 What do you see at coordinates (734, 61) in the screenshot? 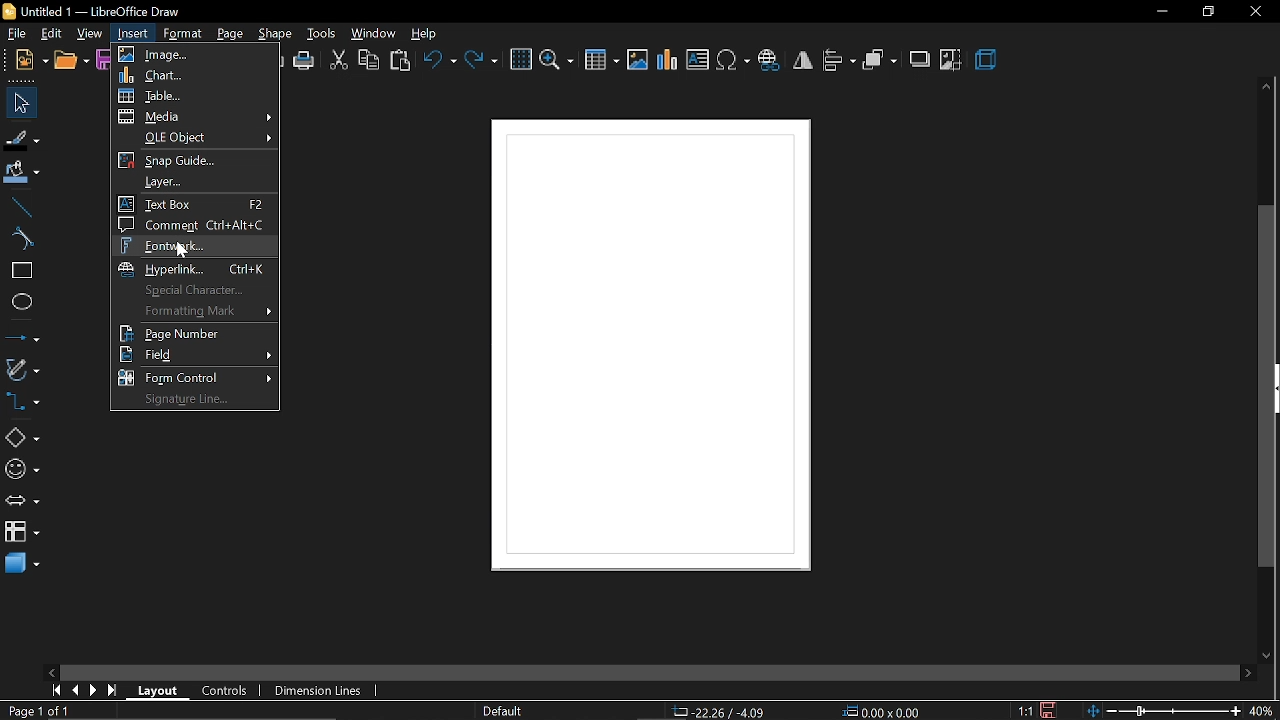
I see `insert symbol` at bounding box center [734, 61].